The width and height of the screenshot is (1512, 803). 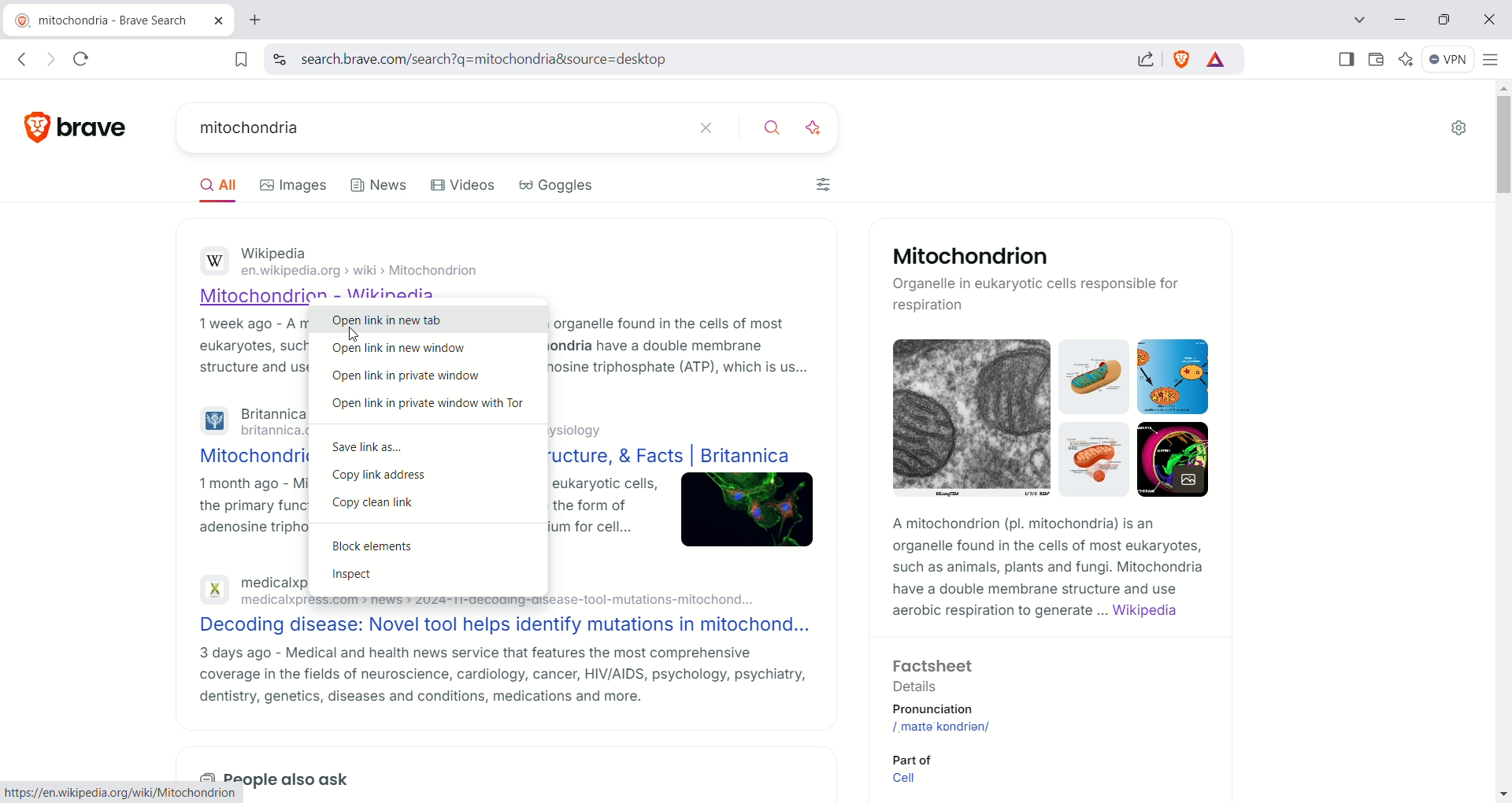 What do you see at coordinates (910, 777) in the screenshot?
I see `Cell link` at bounding box center [910, 777].